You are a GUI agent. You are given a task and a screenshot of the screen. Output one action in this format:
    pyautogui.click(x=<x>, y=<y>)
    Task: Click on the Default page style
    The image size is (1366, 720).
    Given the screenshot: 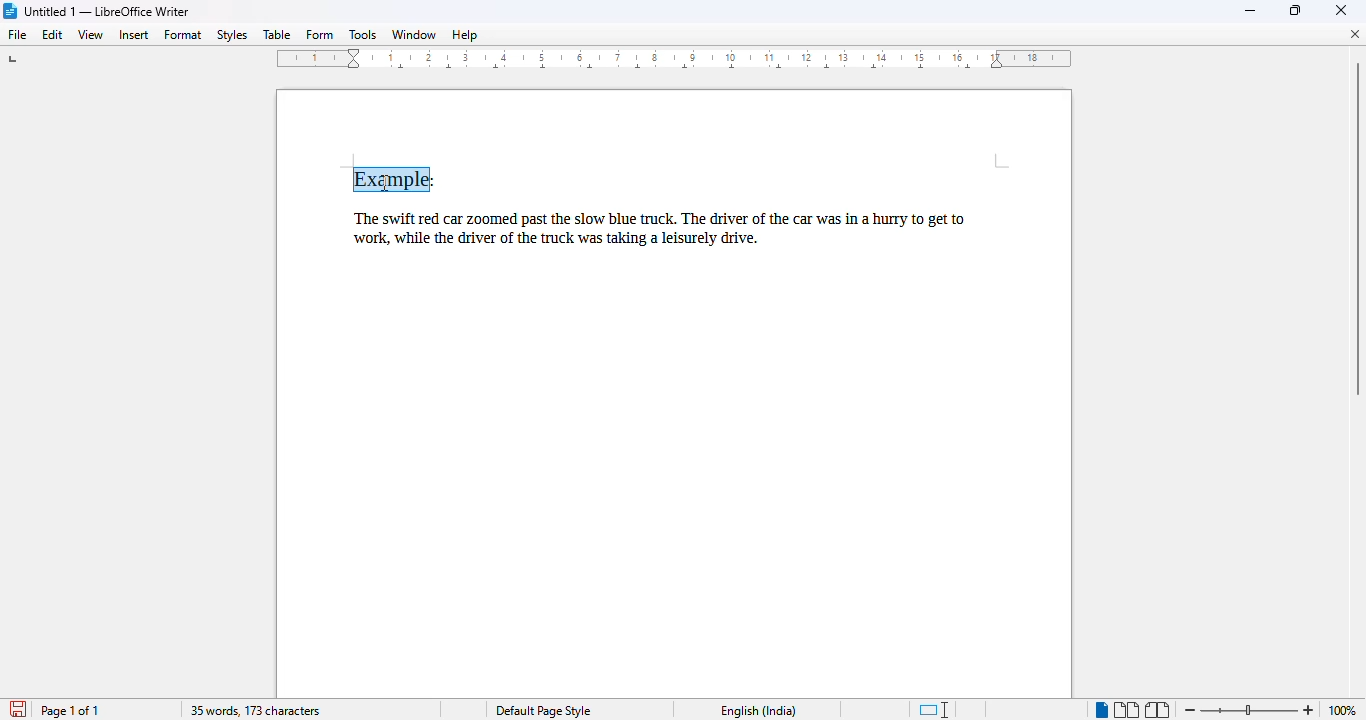 What is the action you would take?
    pyautogui.click(x=543, y=711)
    